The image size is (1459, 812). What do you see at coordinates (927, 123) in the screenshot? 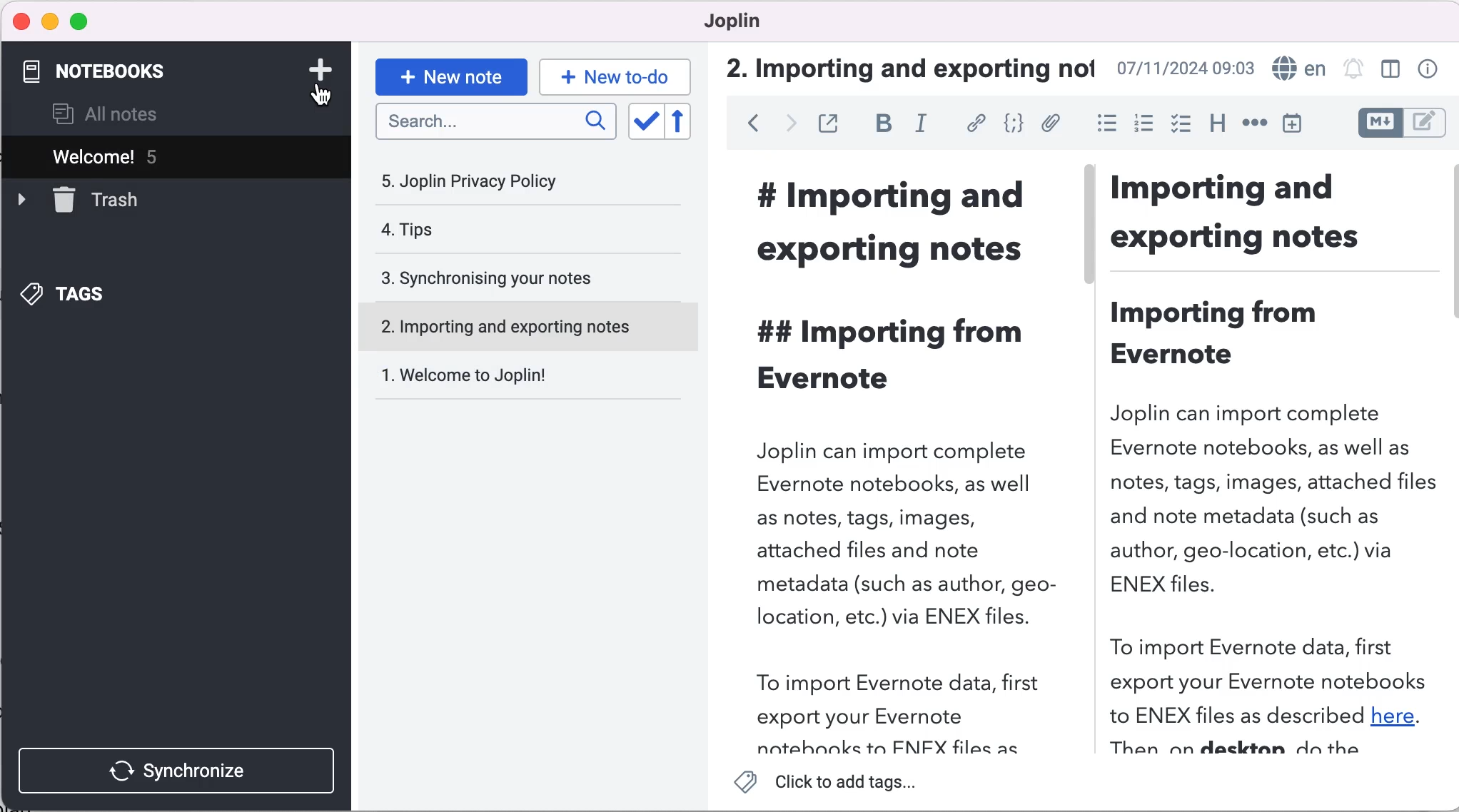
I see `italic` at bounding box center [927, 123].